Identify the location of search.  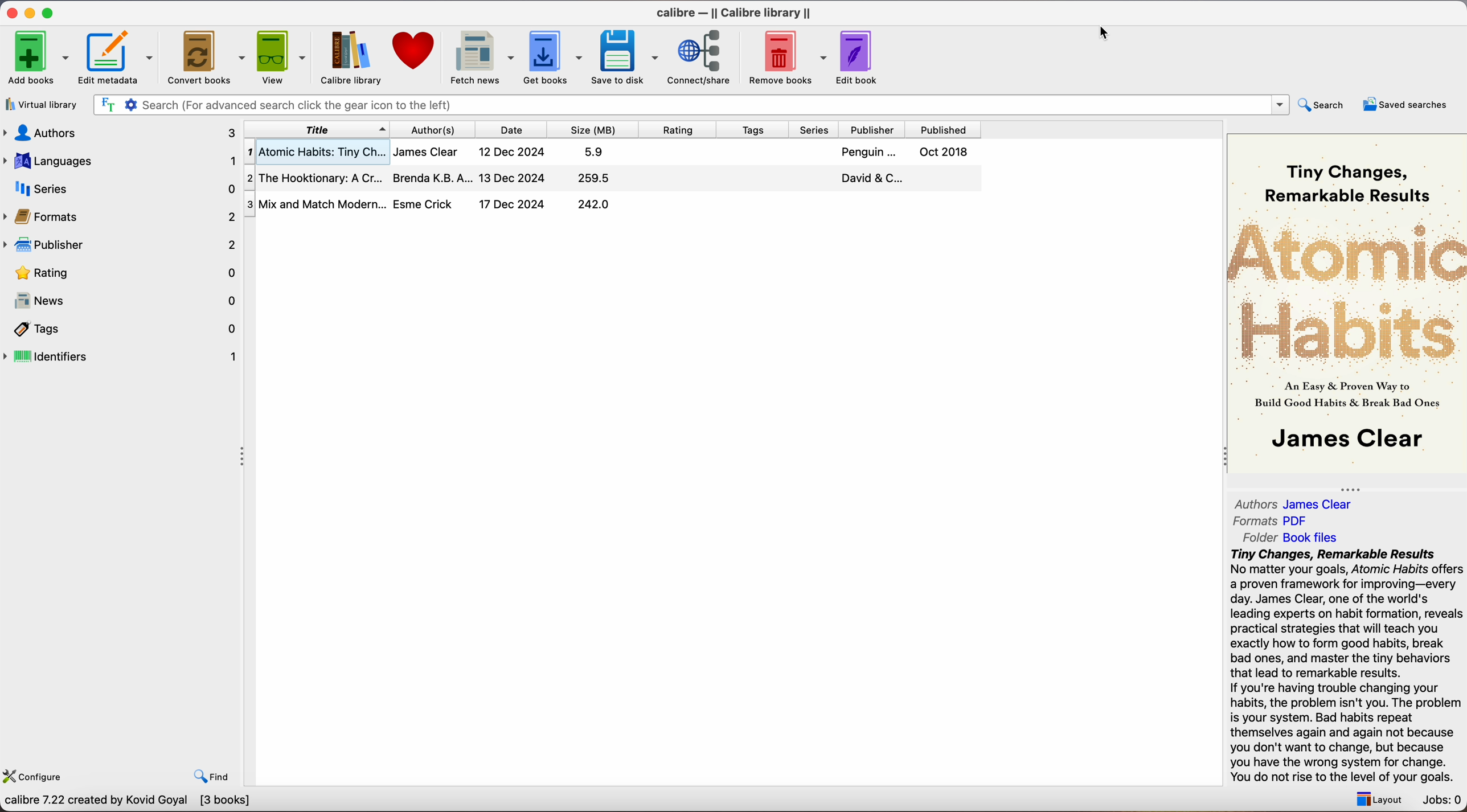
(1323, 104).